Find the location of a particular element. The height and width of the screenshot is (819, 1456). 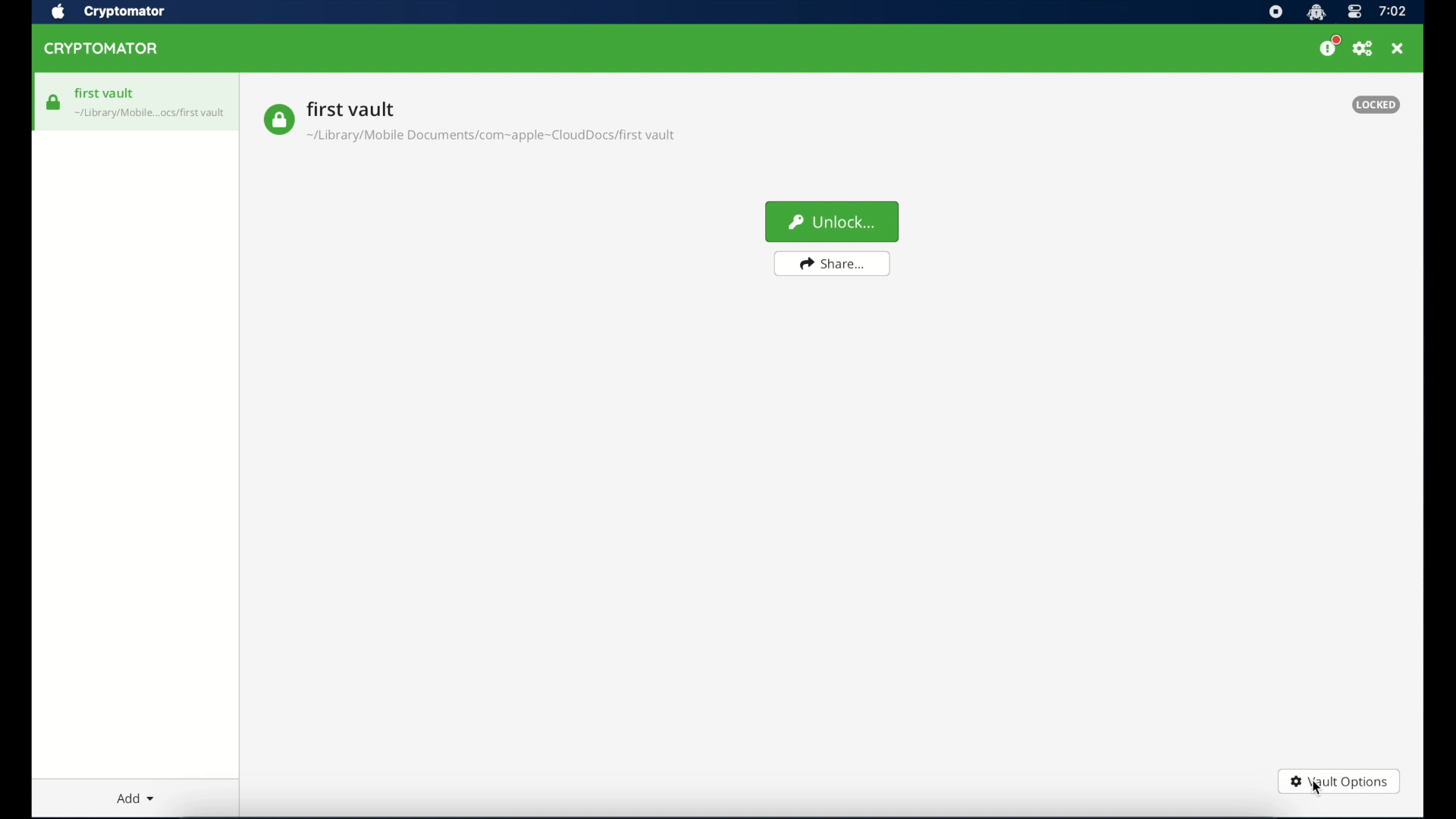

share is located at coordinates (832, 264).